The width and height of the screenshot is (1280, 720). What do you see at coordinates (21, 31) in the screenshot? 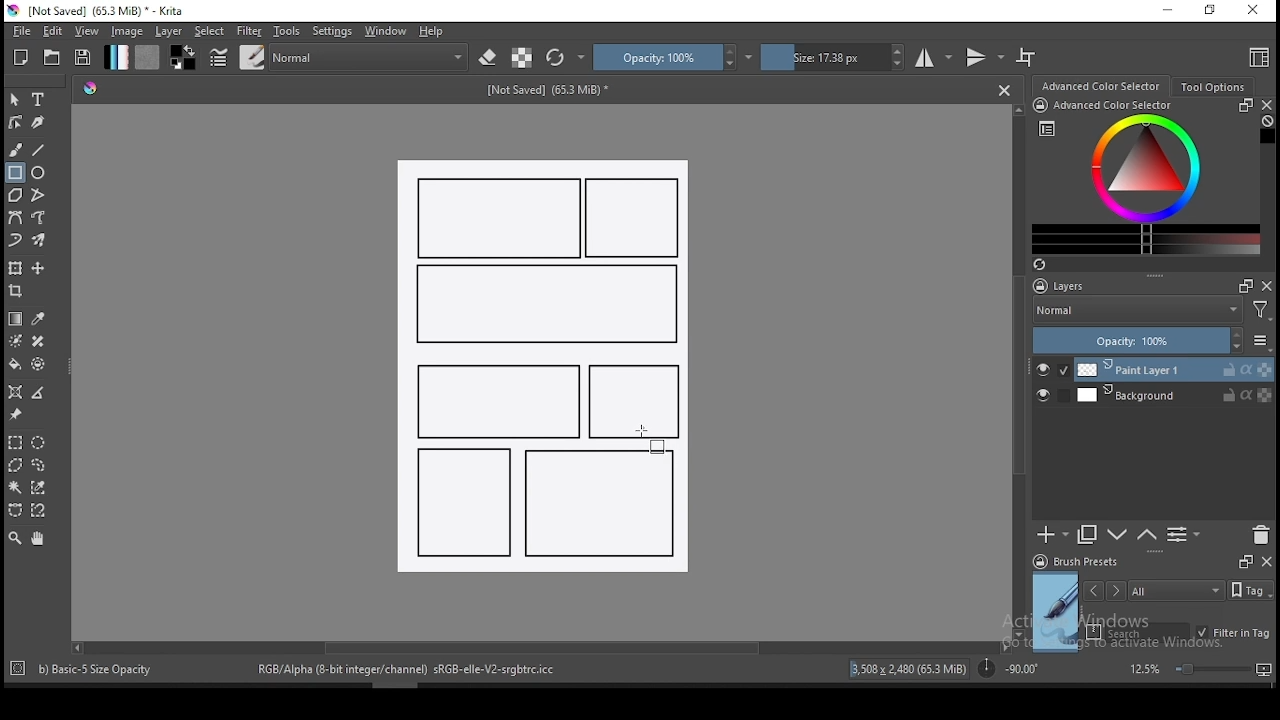
I see `file` at bounding box center [21, 31].